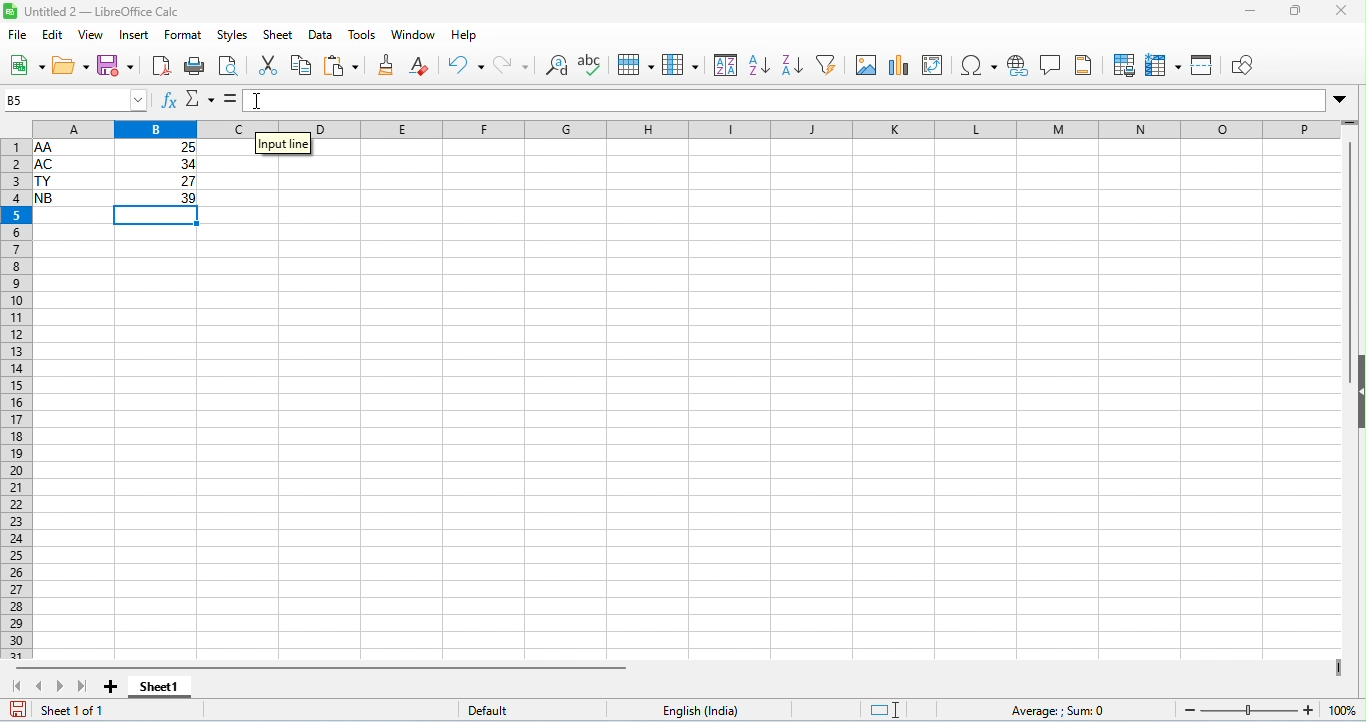  Describe the element at coordinates (867, 64) in the screenshot. I see `insert image` at that location.